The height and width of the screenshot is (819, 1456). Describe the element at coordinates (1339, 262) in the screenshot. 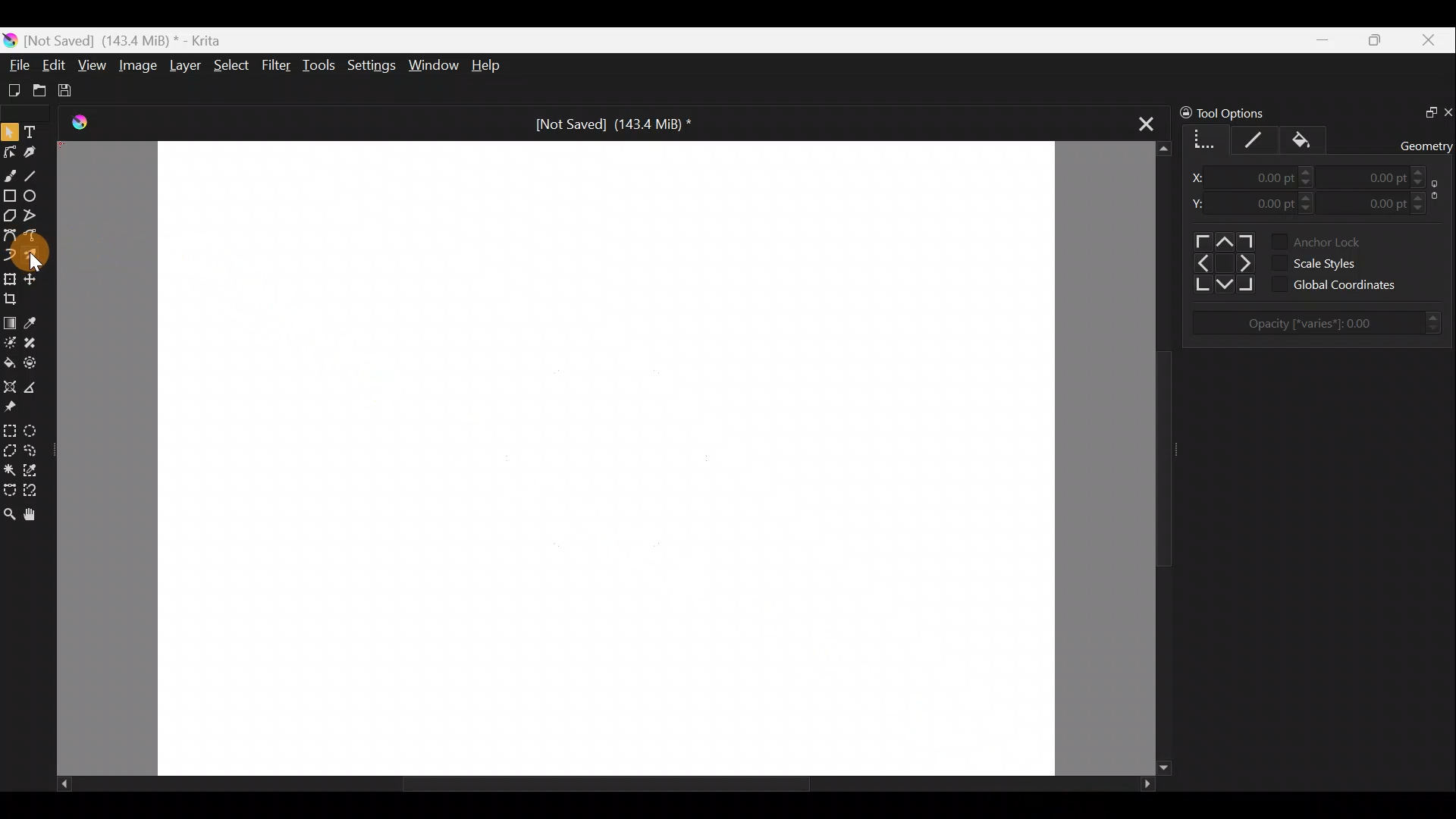

I see `Scale styles` at that location.